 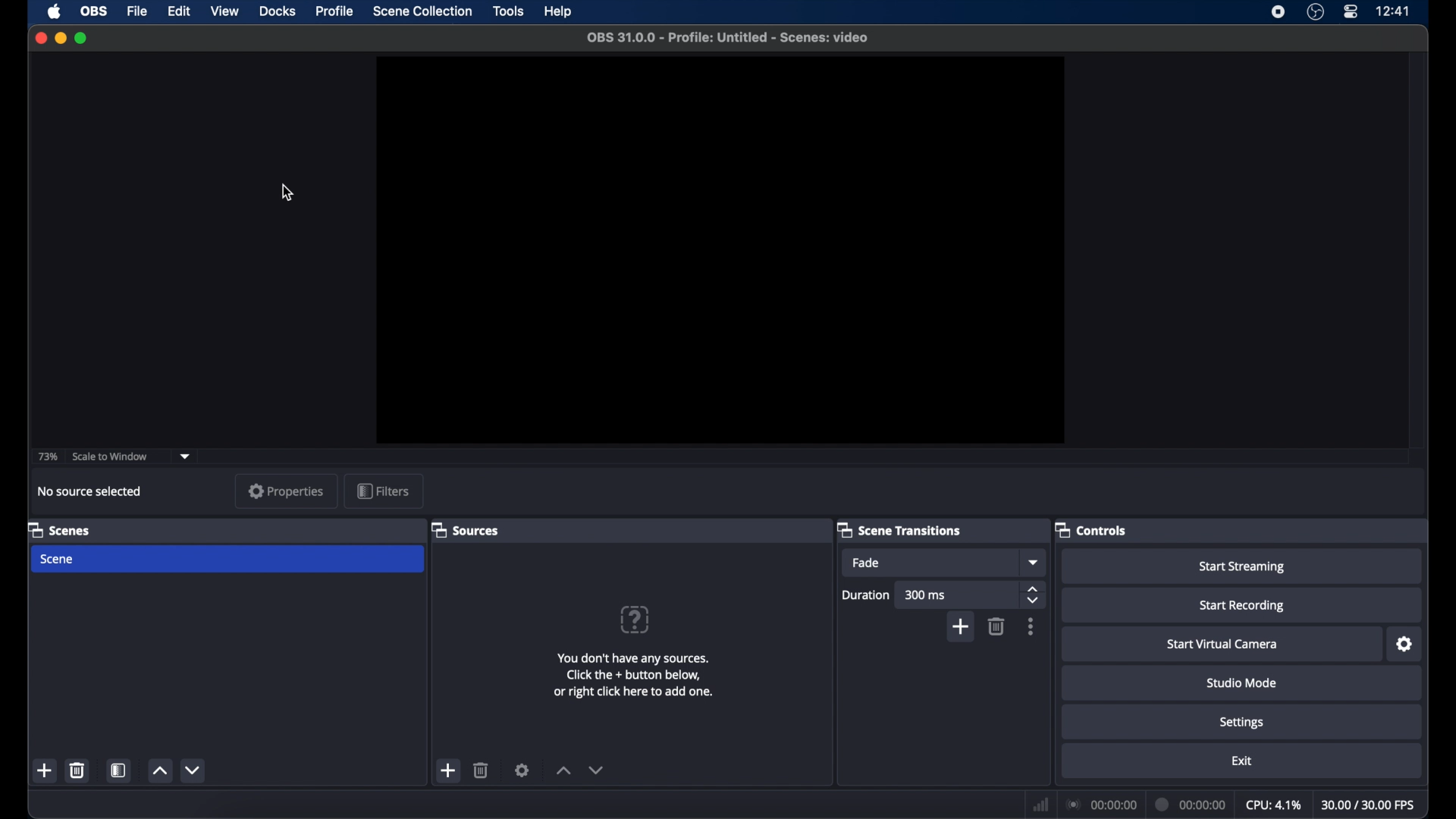 I want to click on apple icon, so click(x=54, y=11).